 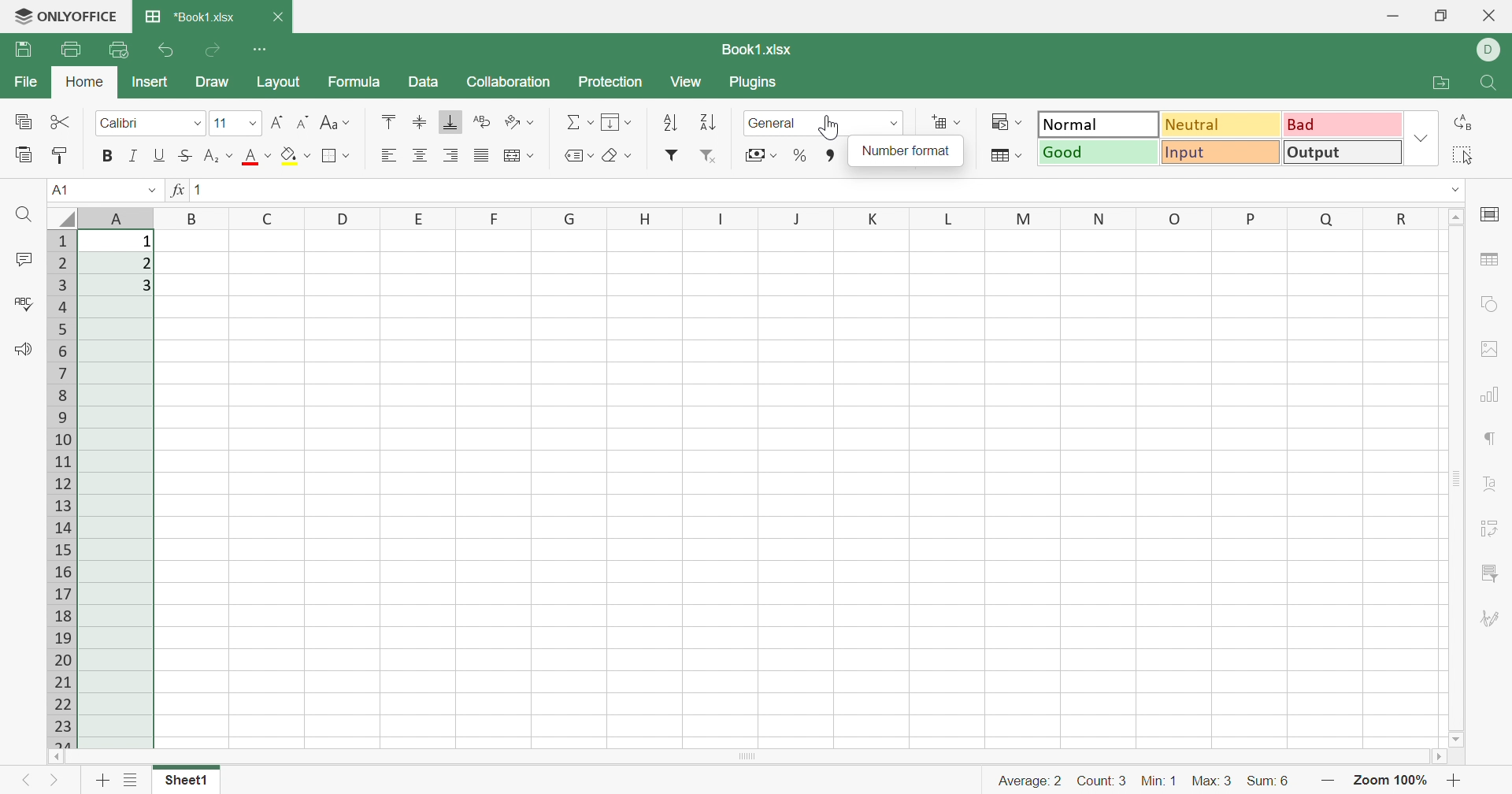 I want to click on Copy style, so click(x=60, y=155).